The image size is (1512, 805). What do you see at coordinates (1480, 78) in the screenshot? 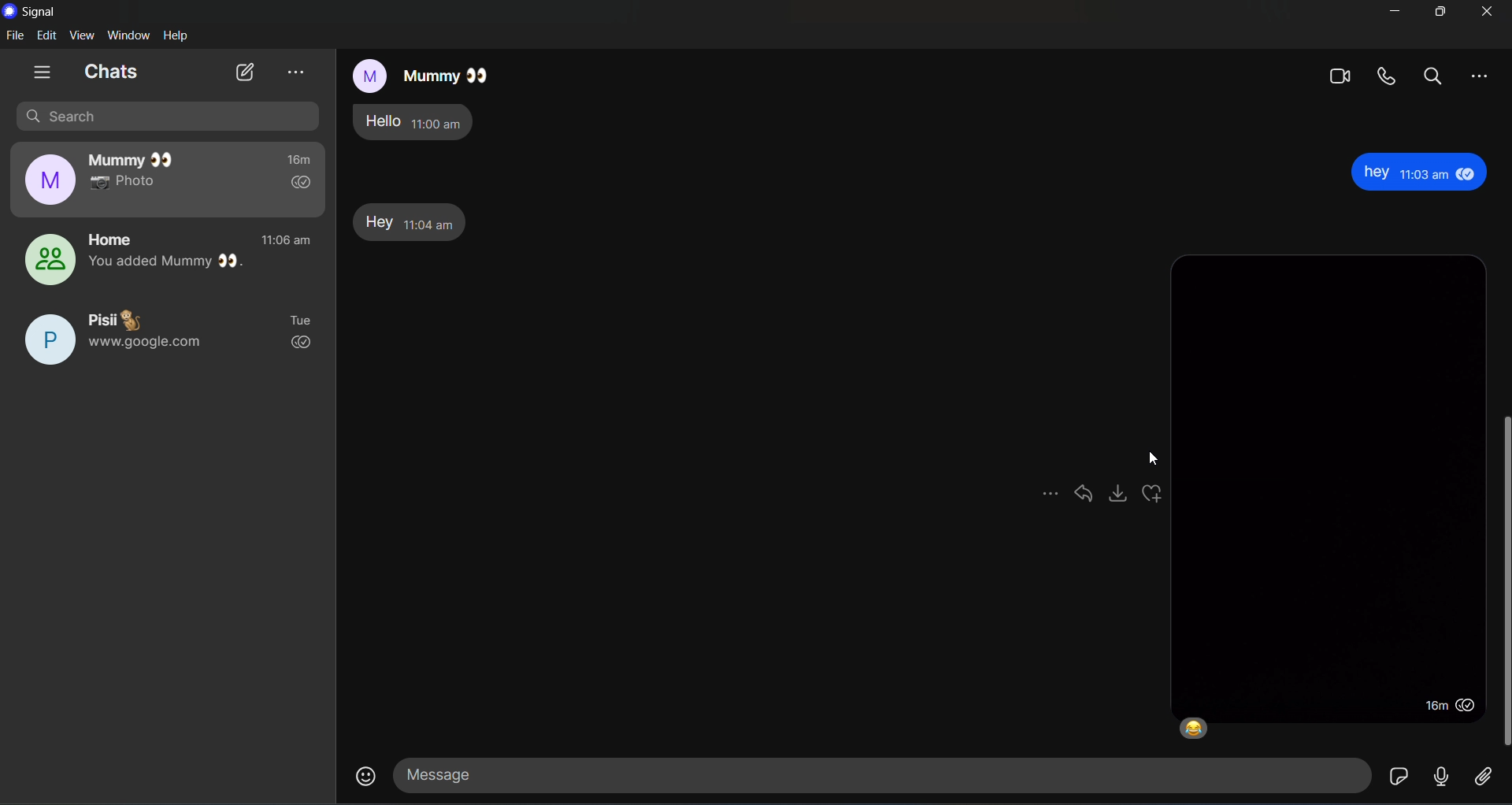
I see `more` at bounding box center [1480, 78].